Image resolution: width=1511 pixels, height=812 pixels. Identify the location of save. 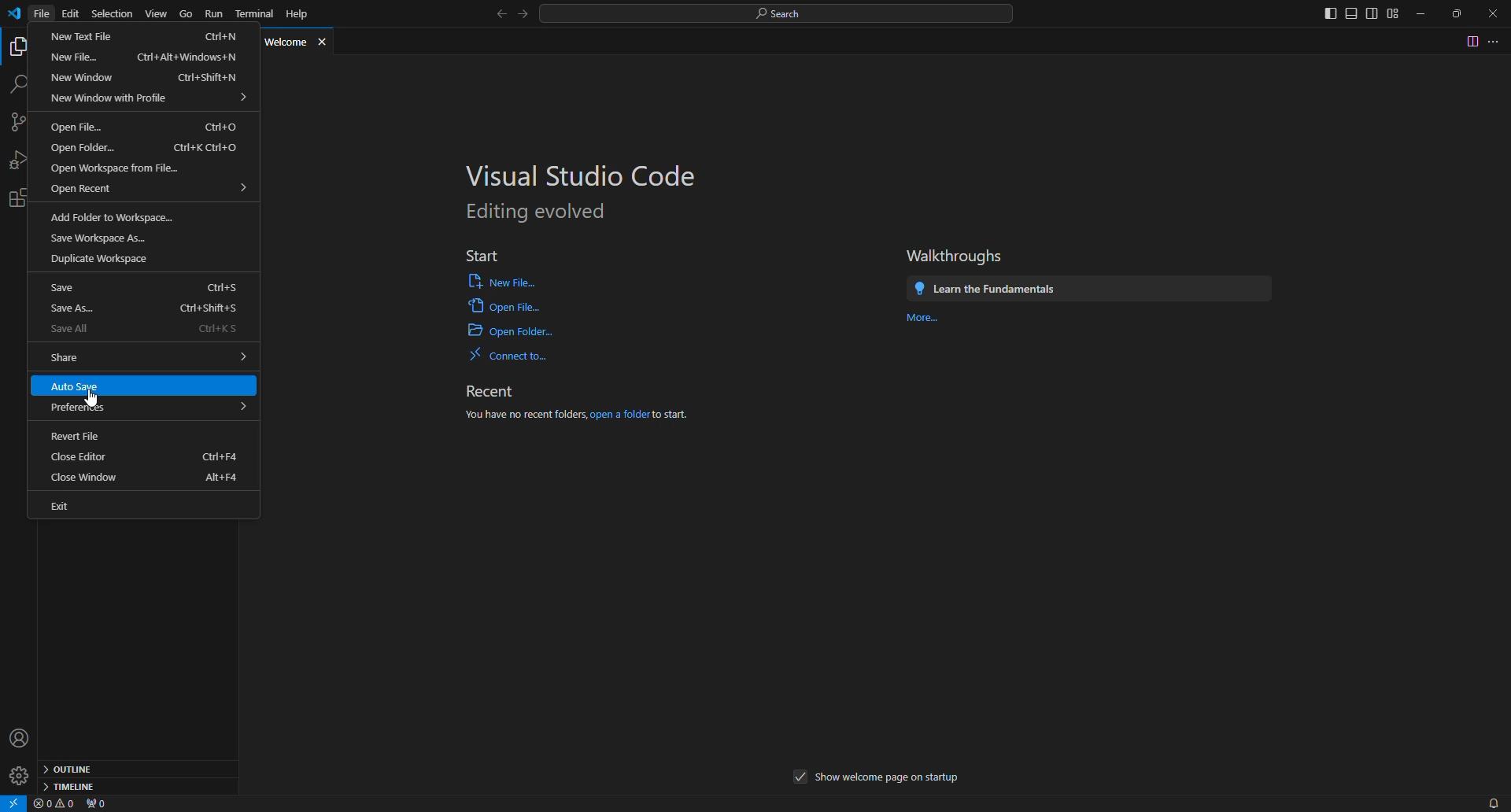
(72, 288).